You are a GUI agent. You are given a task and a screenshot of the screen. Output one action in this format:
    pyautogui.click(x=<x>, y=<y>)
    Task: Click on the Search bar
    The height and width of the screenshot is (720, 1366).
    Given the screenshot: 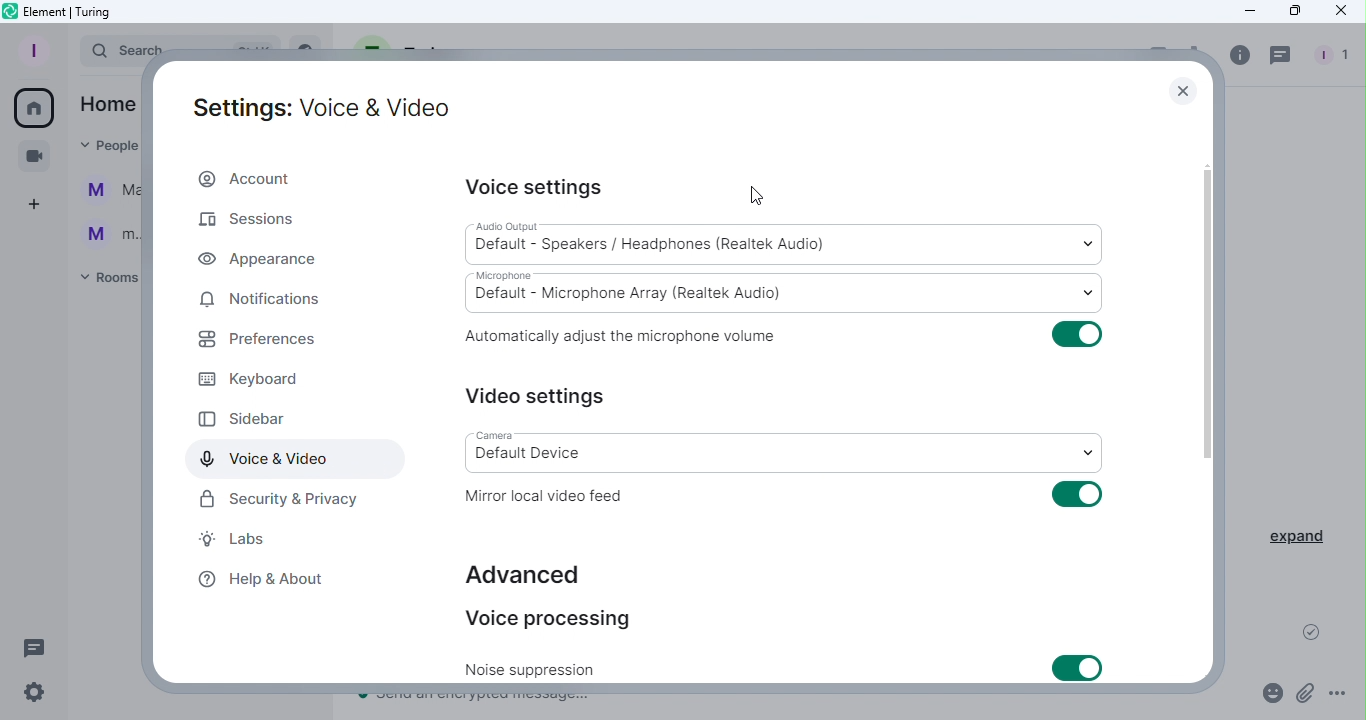 What is the action you would take?
    pyautogui.click(x=116, y=49)
    